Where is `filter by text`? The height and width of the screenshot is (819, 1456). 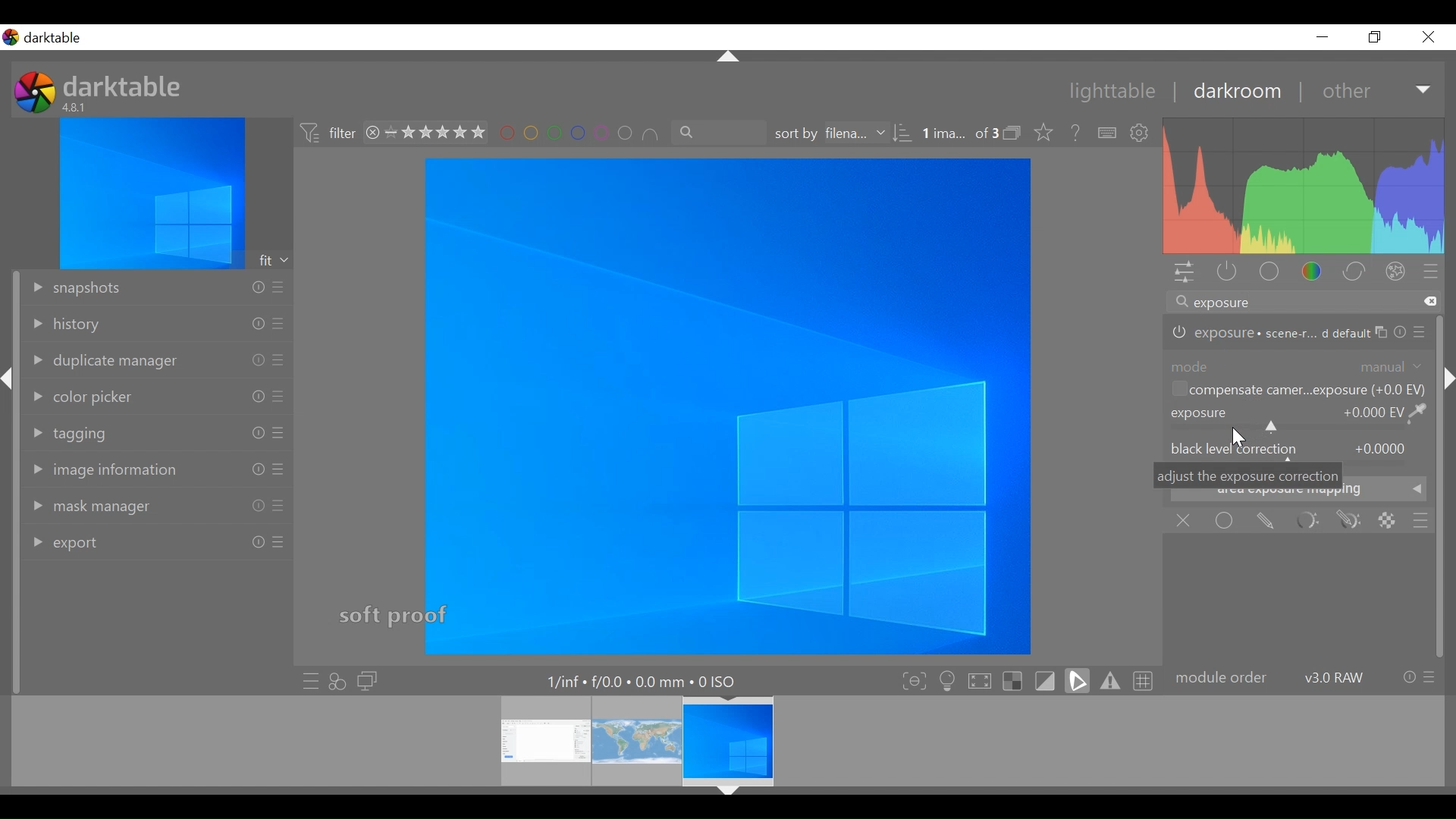 filter by text is located at coordinates (720, 133).